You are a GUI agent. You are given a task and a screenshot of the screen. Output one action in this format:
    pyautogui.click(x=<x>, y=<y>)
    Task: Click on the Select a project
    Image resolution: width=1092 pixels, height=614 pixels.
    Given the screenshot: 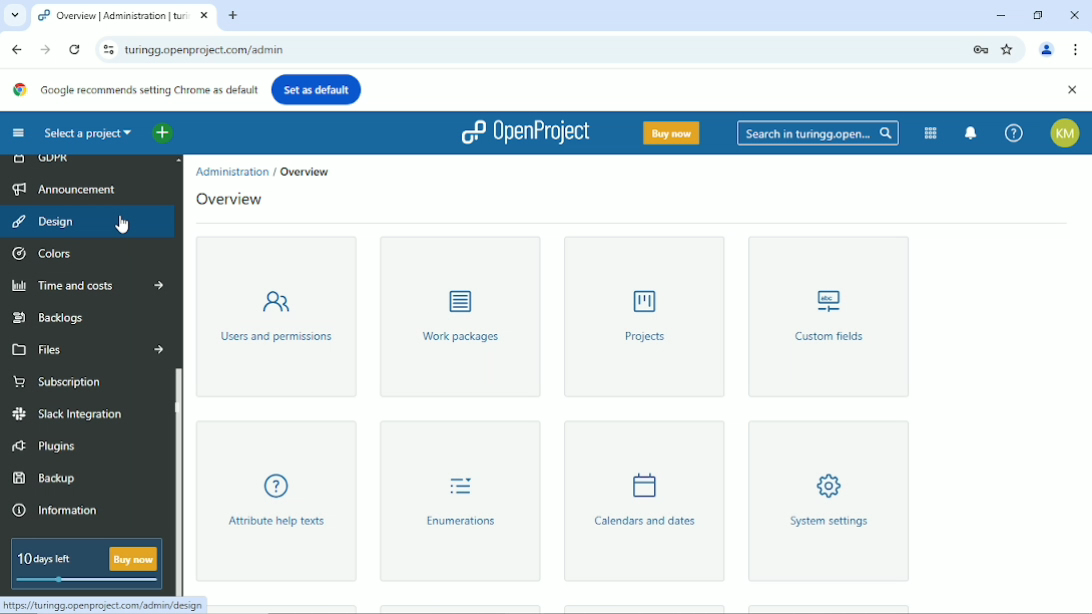 What is the action you would take?
    pyautogui.click(x=88, y=133)
    